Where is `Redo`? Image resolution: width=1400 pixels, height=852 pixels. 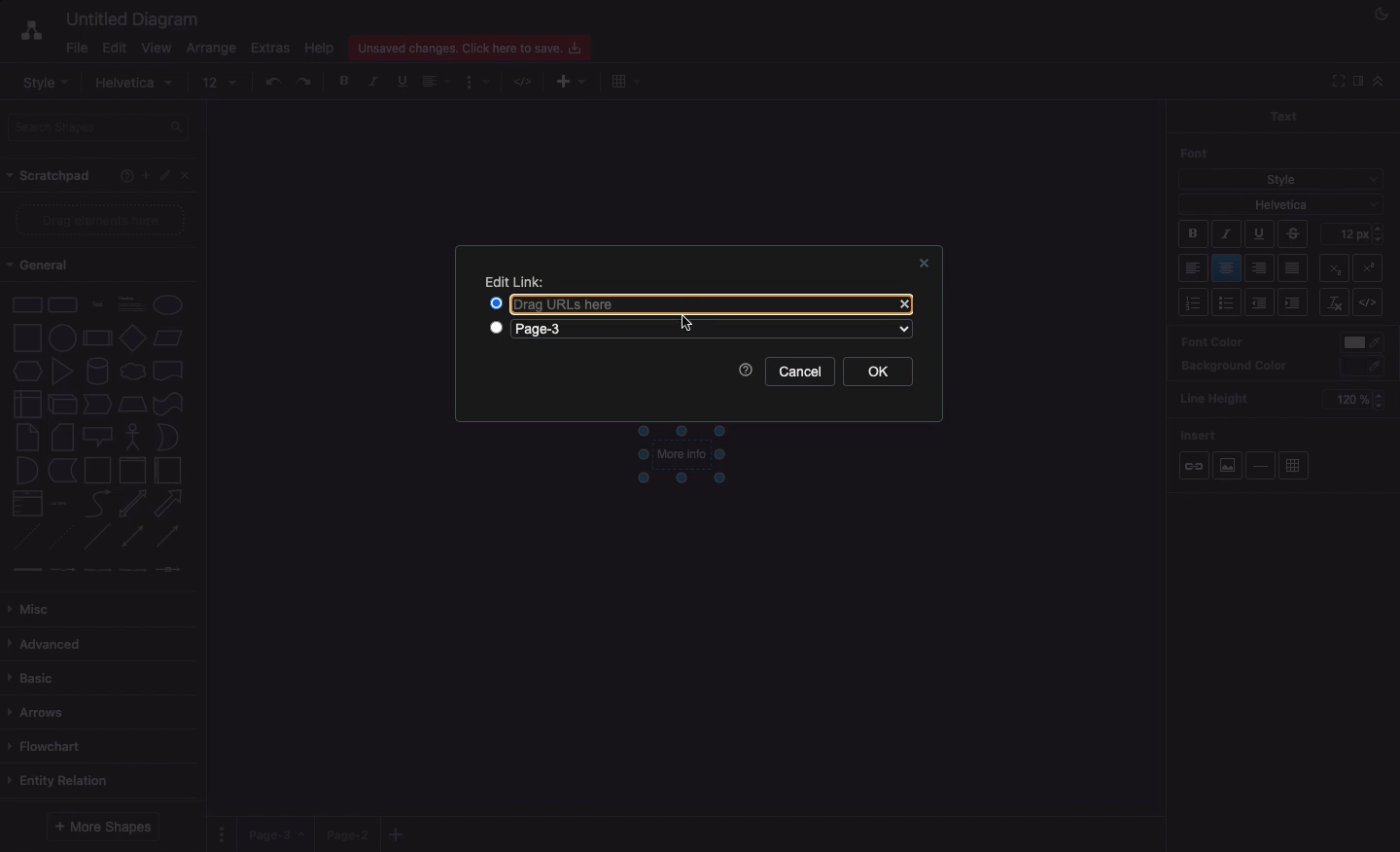 Redo is located at coordinates (305, 82).